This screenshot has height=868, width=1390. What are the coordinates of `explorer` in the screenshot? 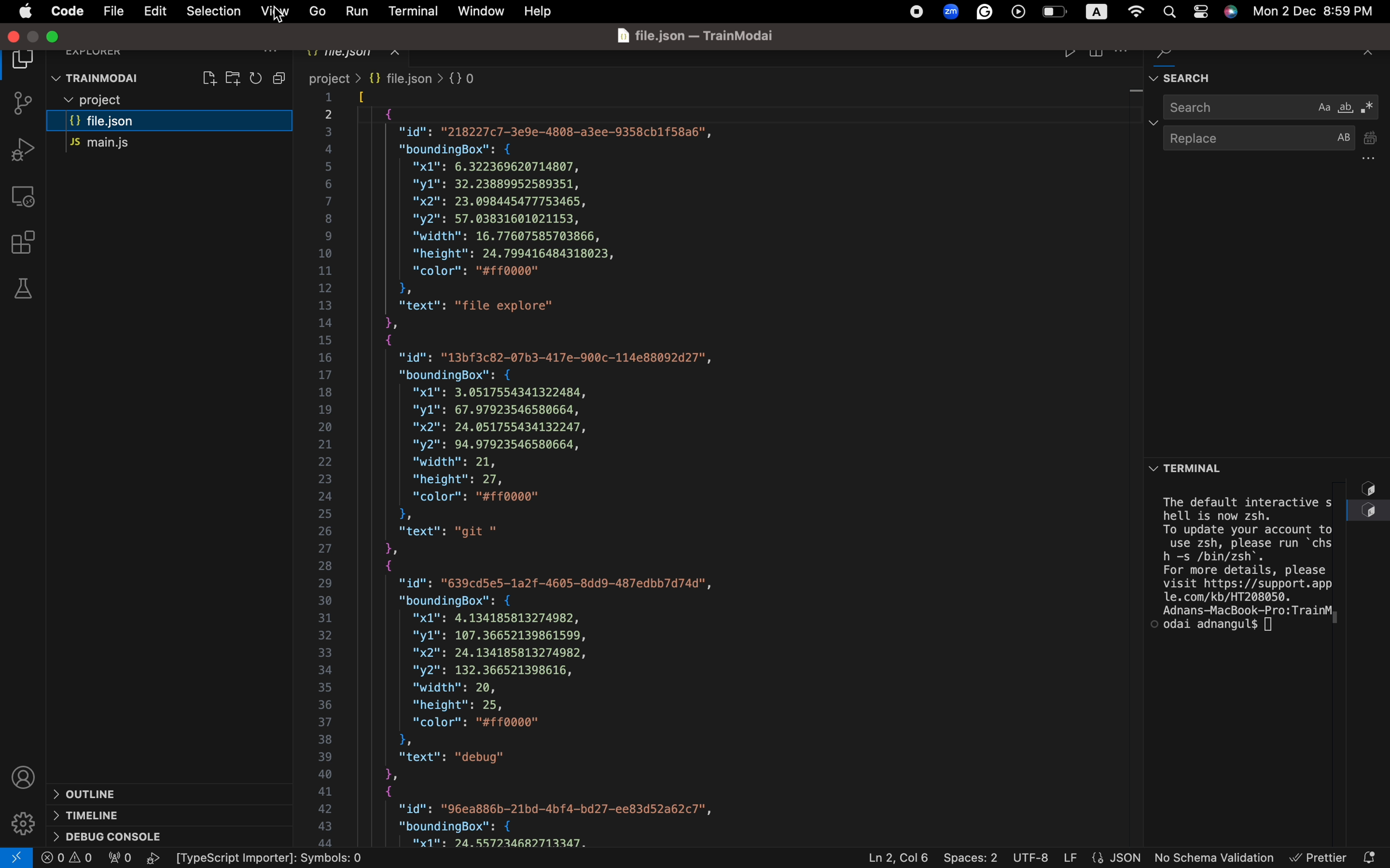 It's located at (109, 48).